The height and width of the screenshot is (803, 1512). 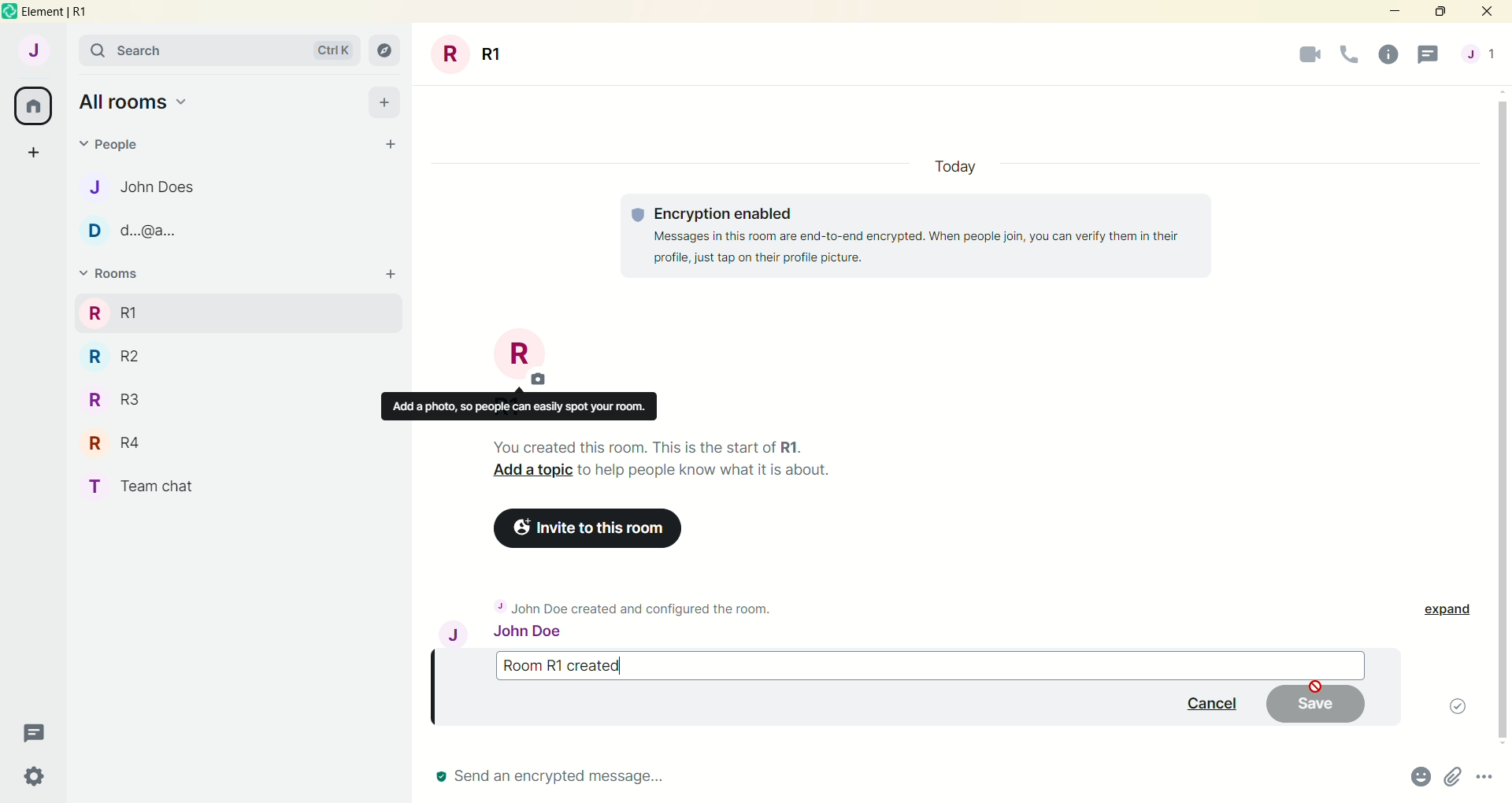 I want to click on save, so click(x=1316, y=705).